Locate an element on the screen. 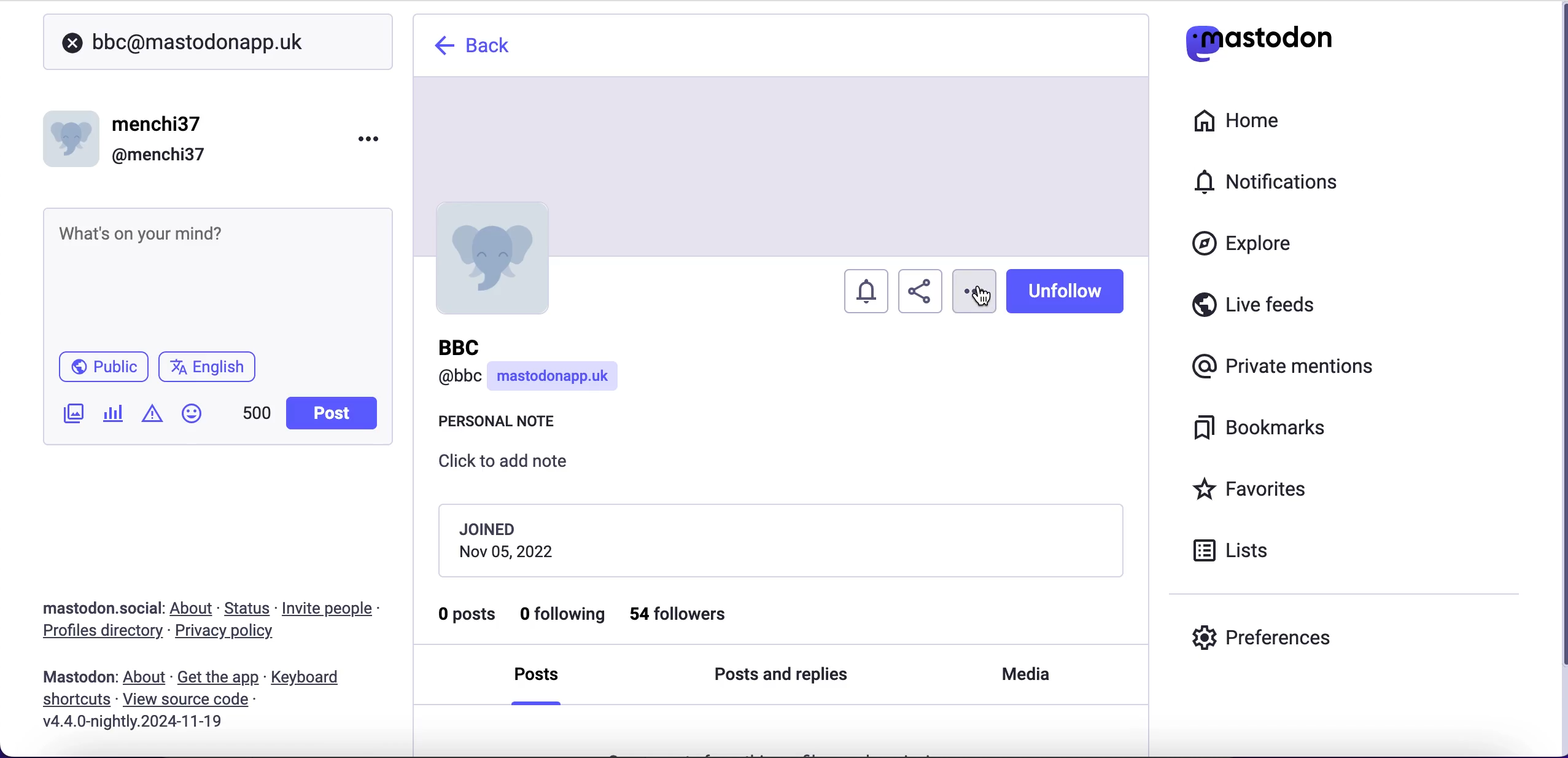  about is located at coordinates (147, 678).